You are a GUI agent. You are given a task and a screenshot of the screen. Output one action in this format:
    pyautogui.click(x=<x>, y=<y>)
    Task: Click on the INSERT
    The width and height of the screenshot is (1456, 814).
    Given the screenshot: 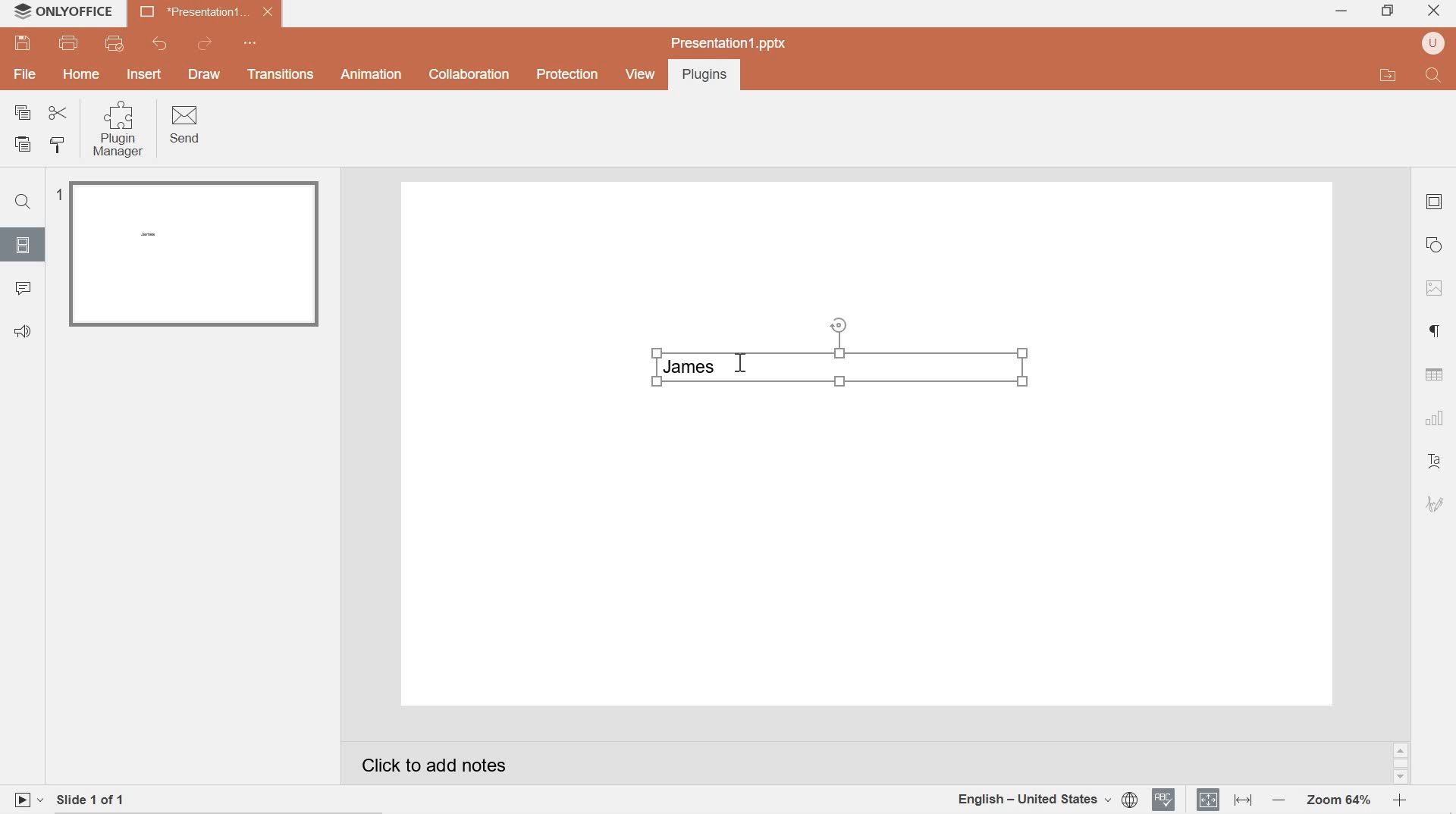 What is the action you would take?
    pyautogui.click(x=146, y=74)
    